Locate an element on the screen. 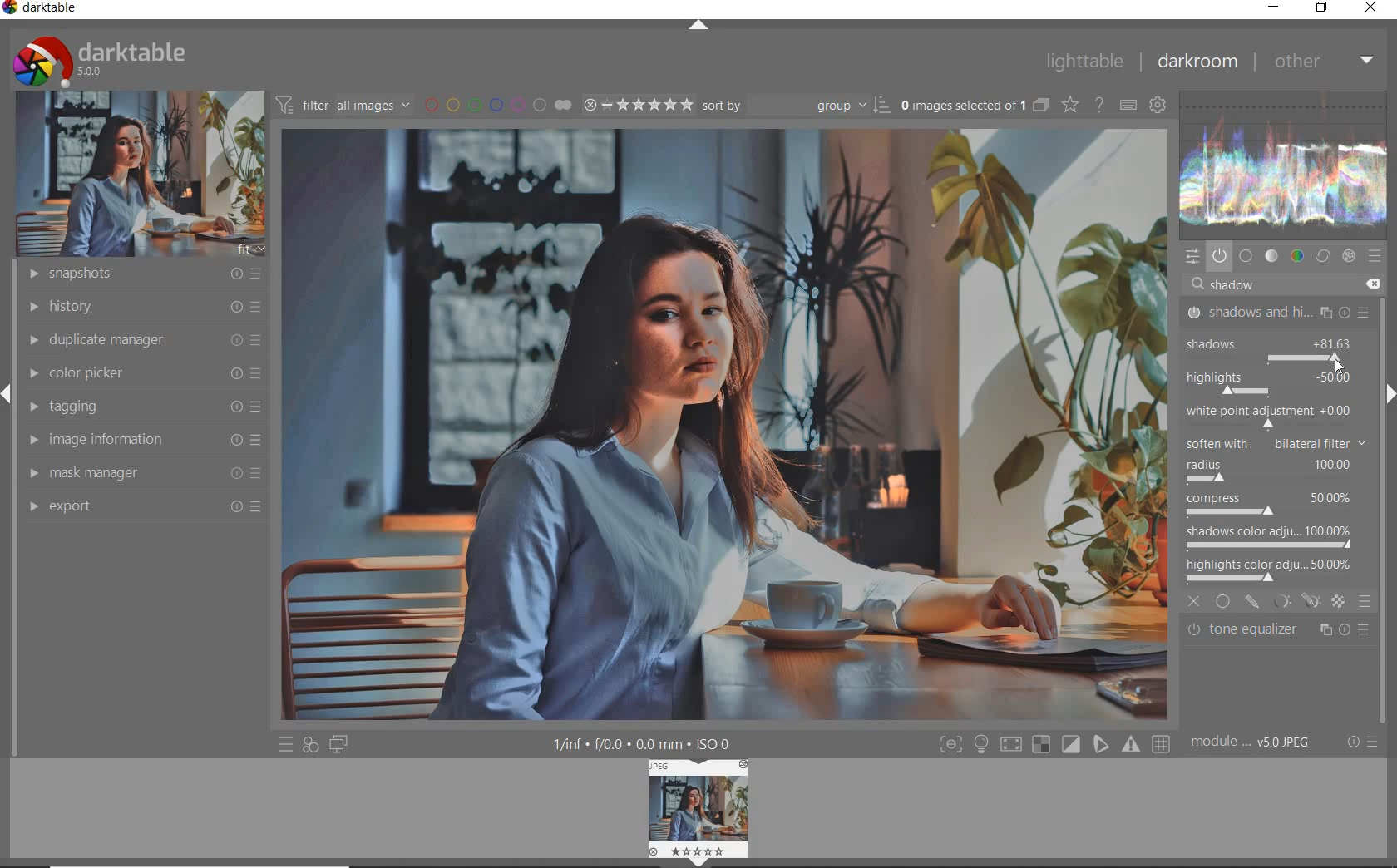 The image size is (1397, 868). soften with bilateral filter is located at coordinates (1275, 441).